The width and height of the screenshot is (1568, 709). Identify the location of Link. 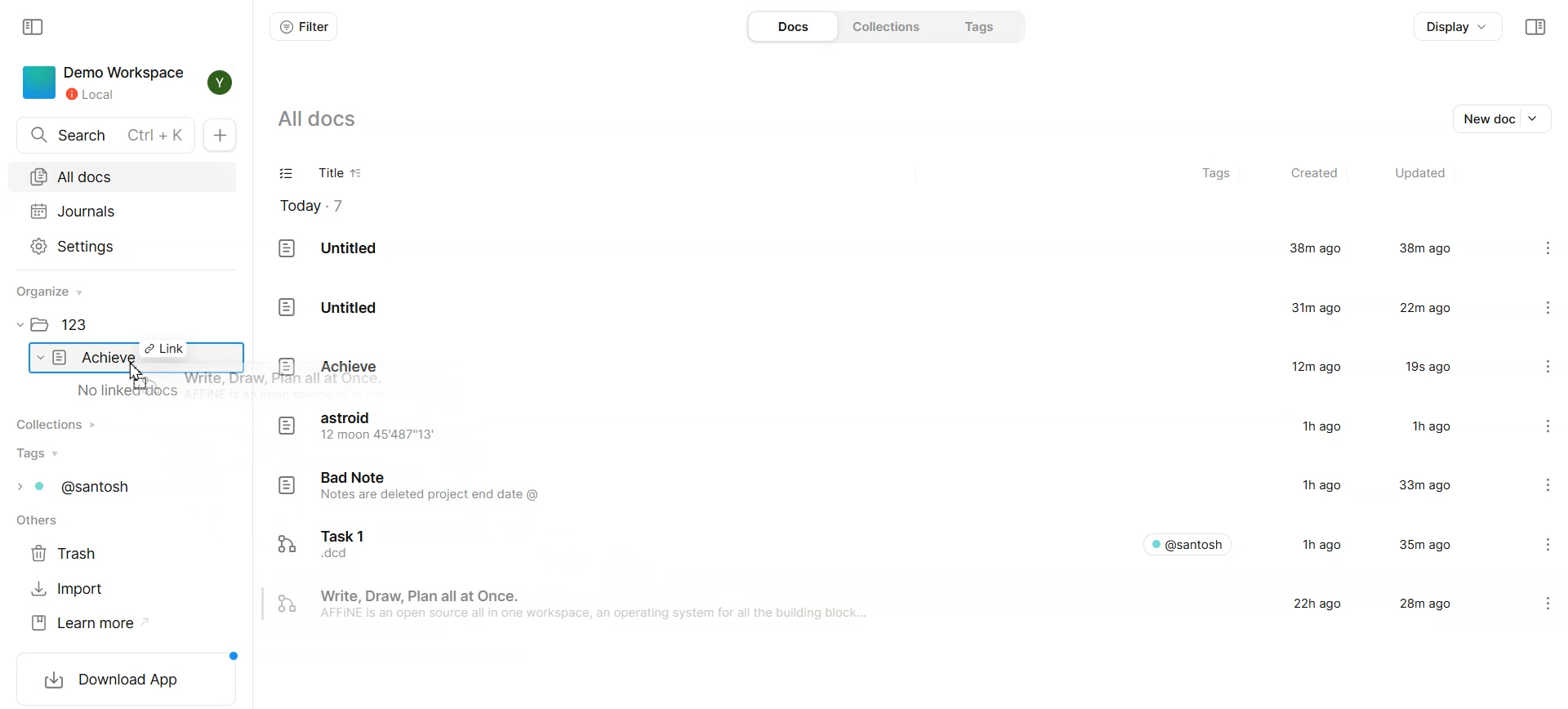
(164, 348).